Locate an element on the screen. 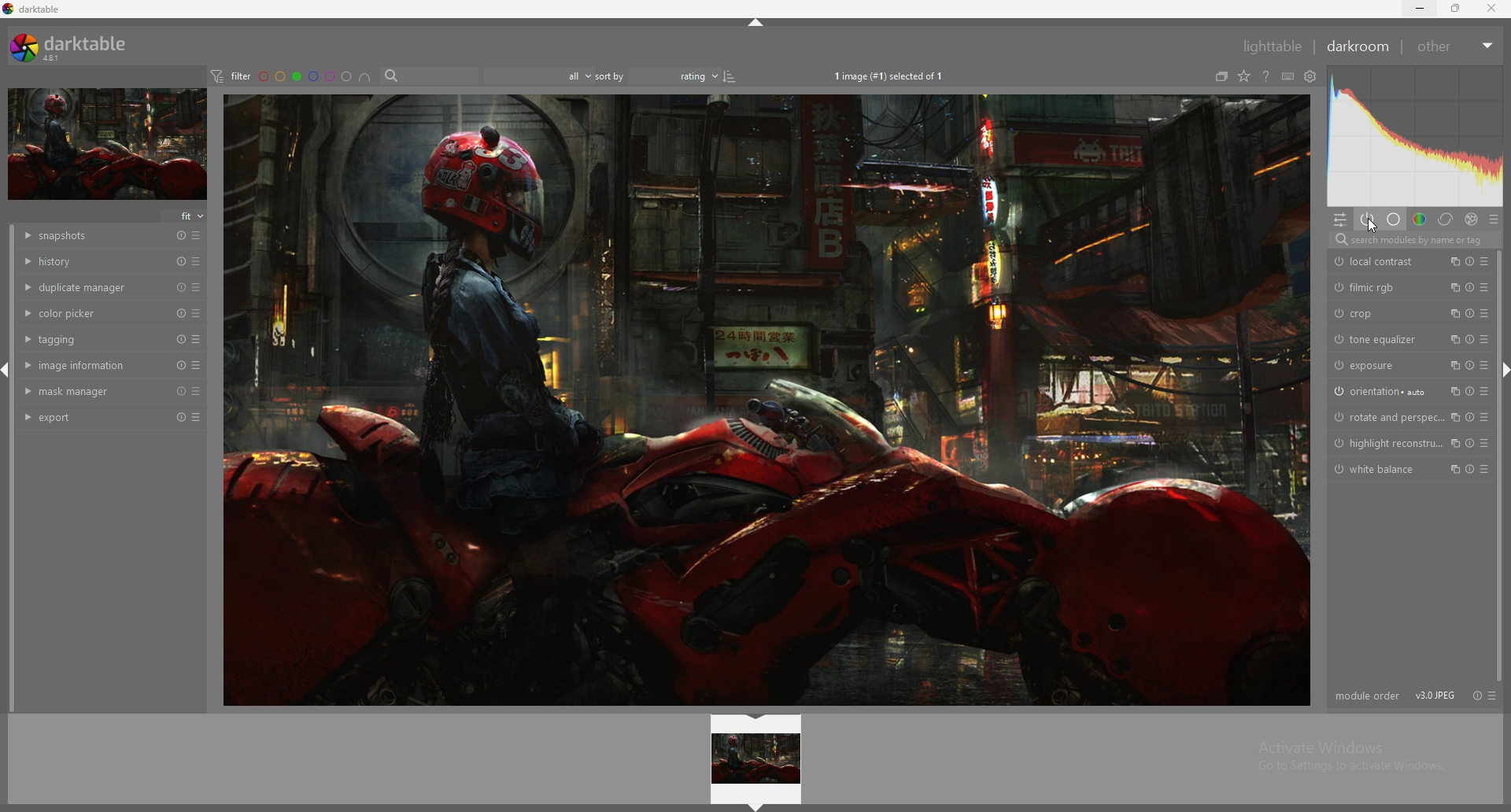 The width and height of the screenshot is (1511, 812). collapse grouped images is located at coordinates (1221, 77).